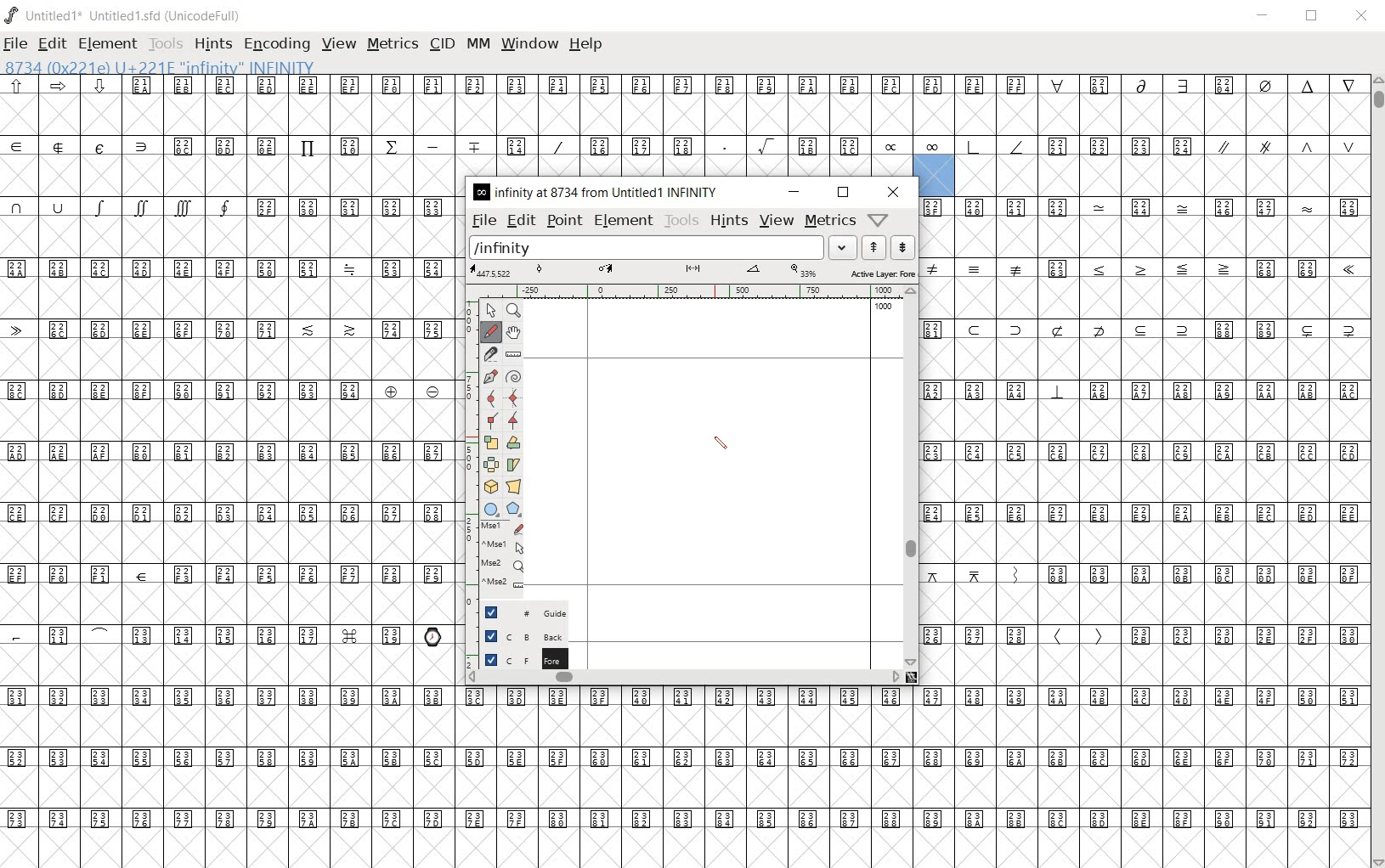  Describe the element at coordinates (979, 268) in the screenshot. I see `symbols` at that location.